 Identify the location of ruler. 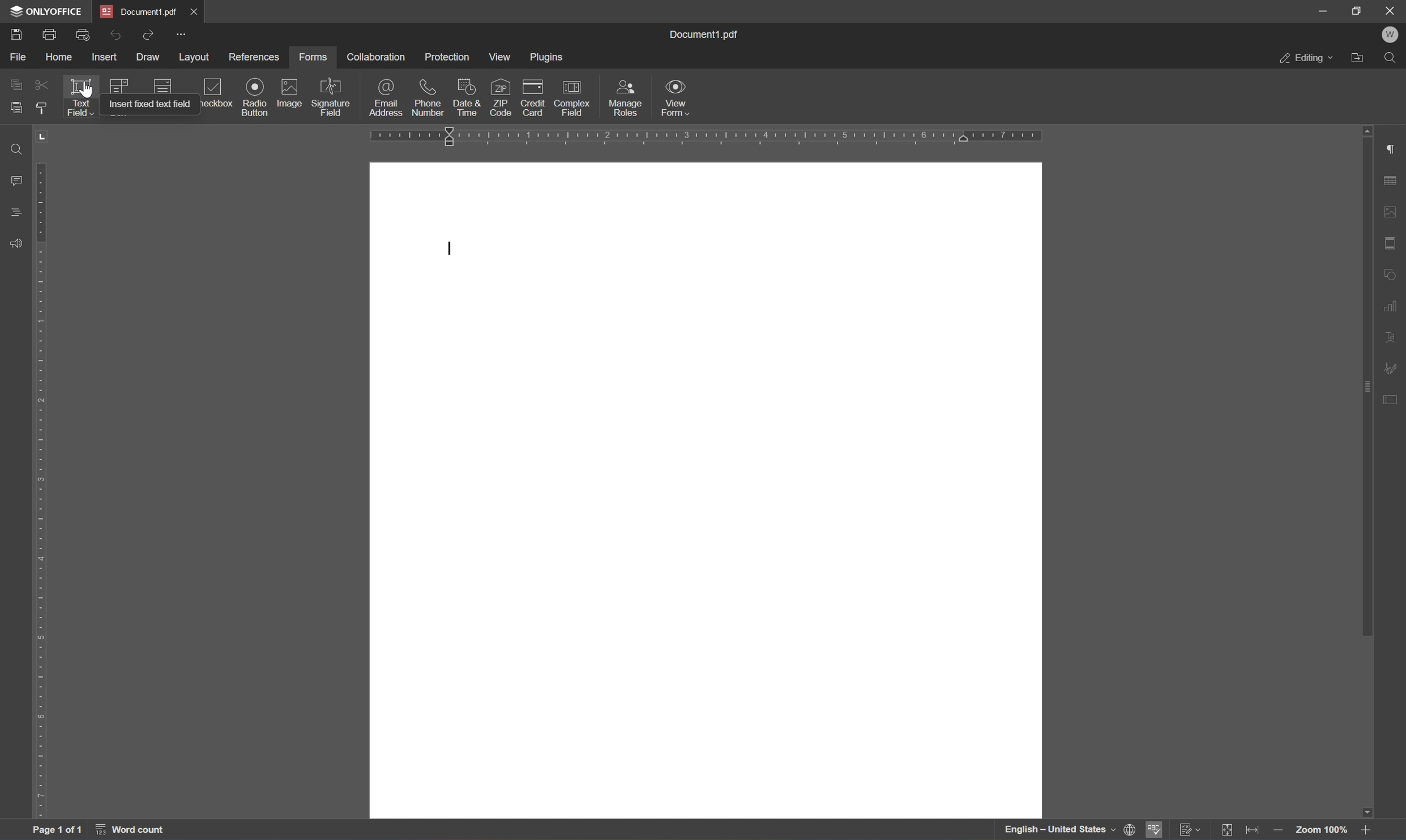
(707, 137).